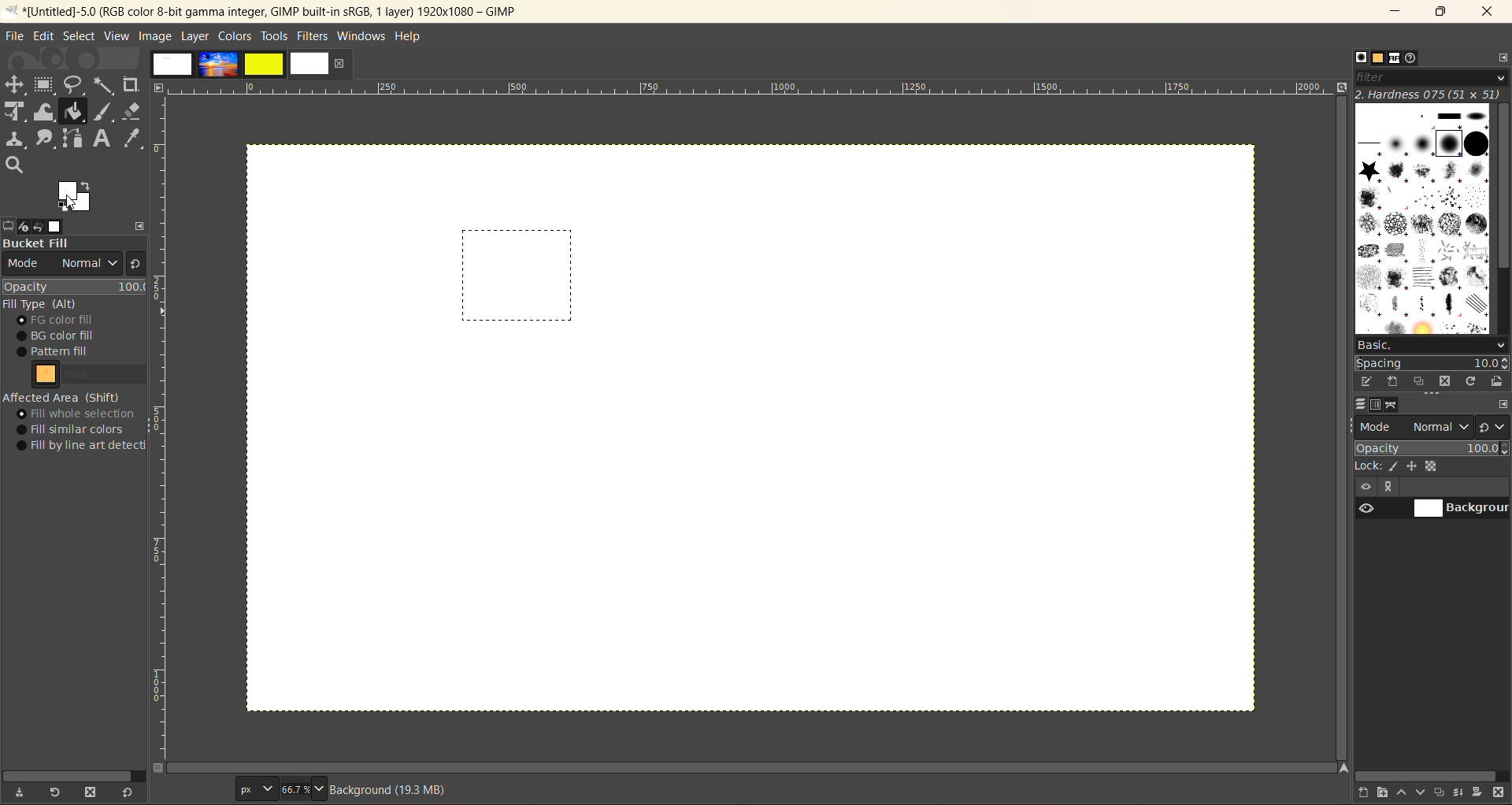 This screenshot has height=805, width=1512. What do you see at coordinates (73, 202) in the screenshot?
I see `cursor` at bounding box center [73, 202].